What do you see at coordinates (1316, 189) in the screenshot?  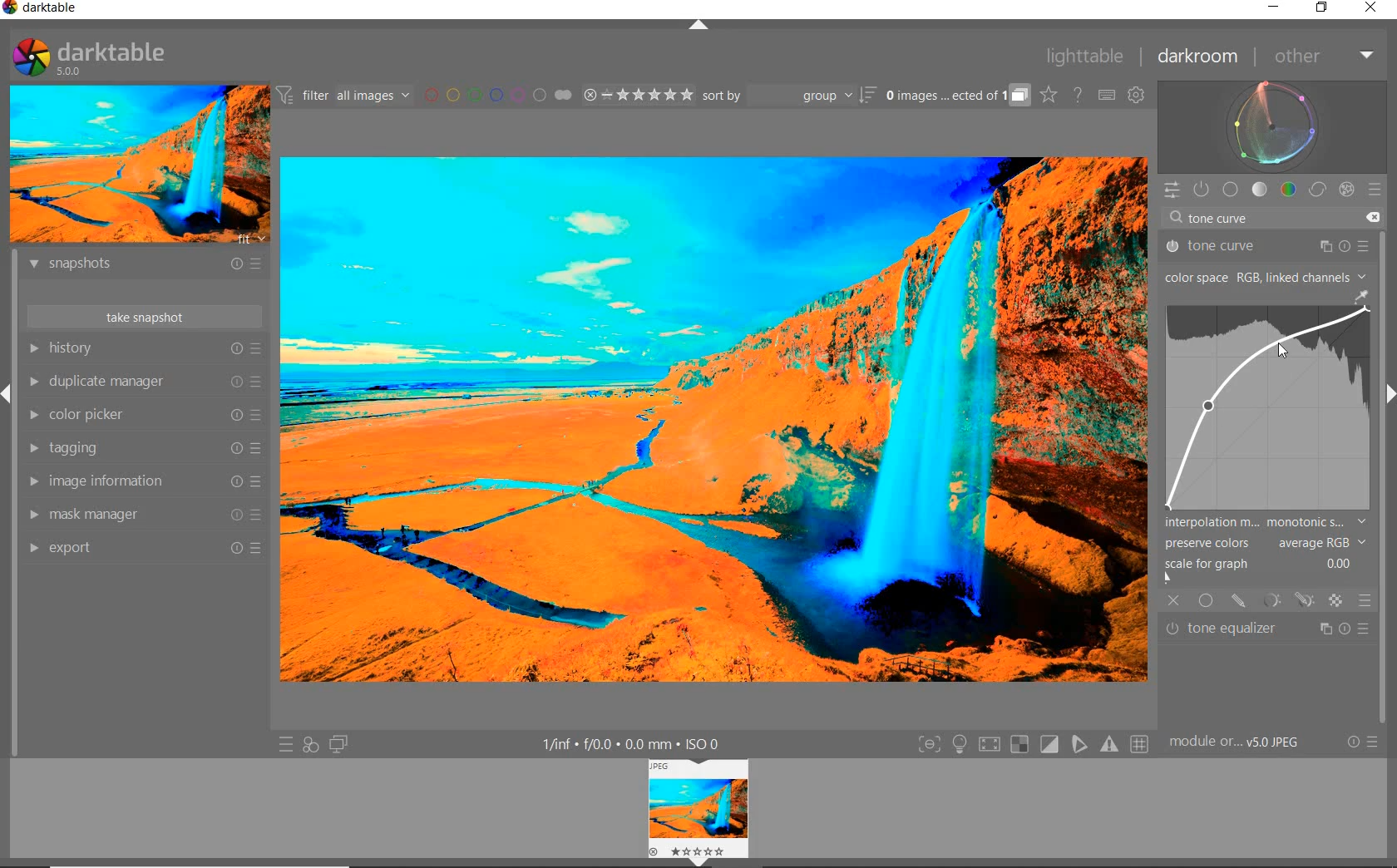 I see `correct` at bounding box center [1316, 189].